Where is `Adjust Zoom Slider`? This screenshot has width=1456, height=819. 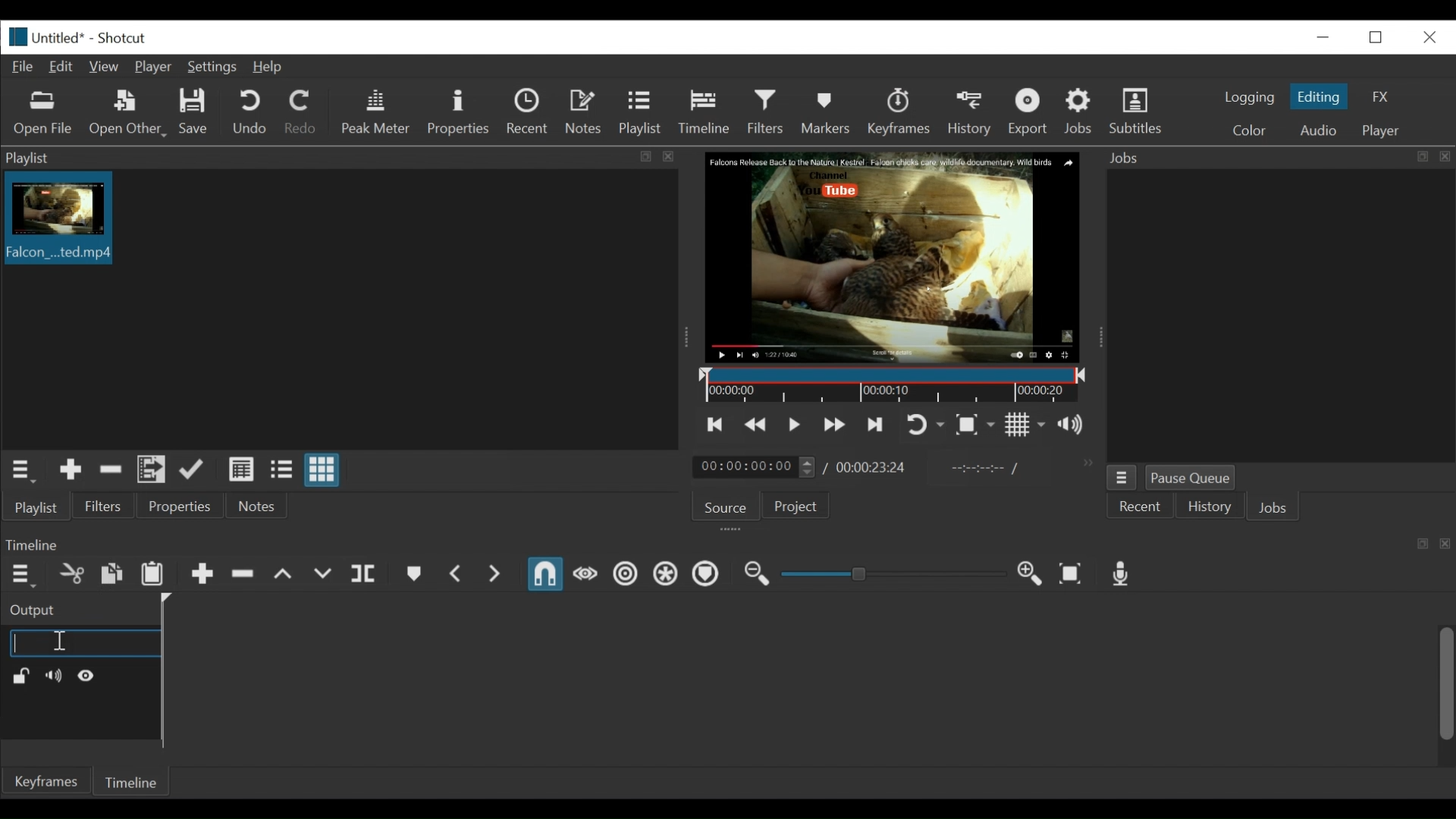
Adjust Zoom Slider is located at coordinates (893, 573).